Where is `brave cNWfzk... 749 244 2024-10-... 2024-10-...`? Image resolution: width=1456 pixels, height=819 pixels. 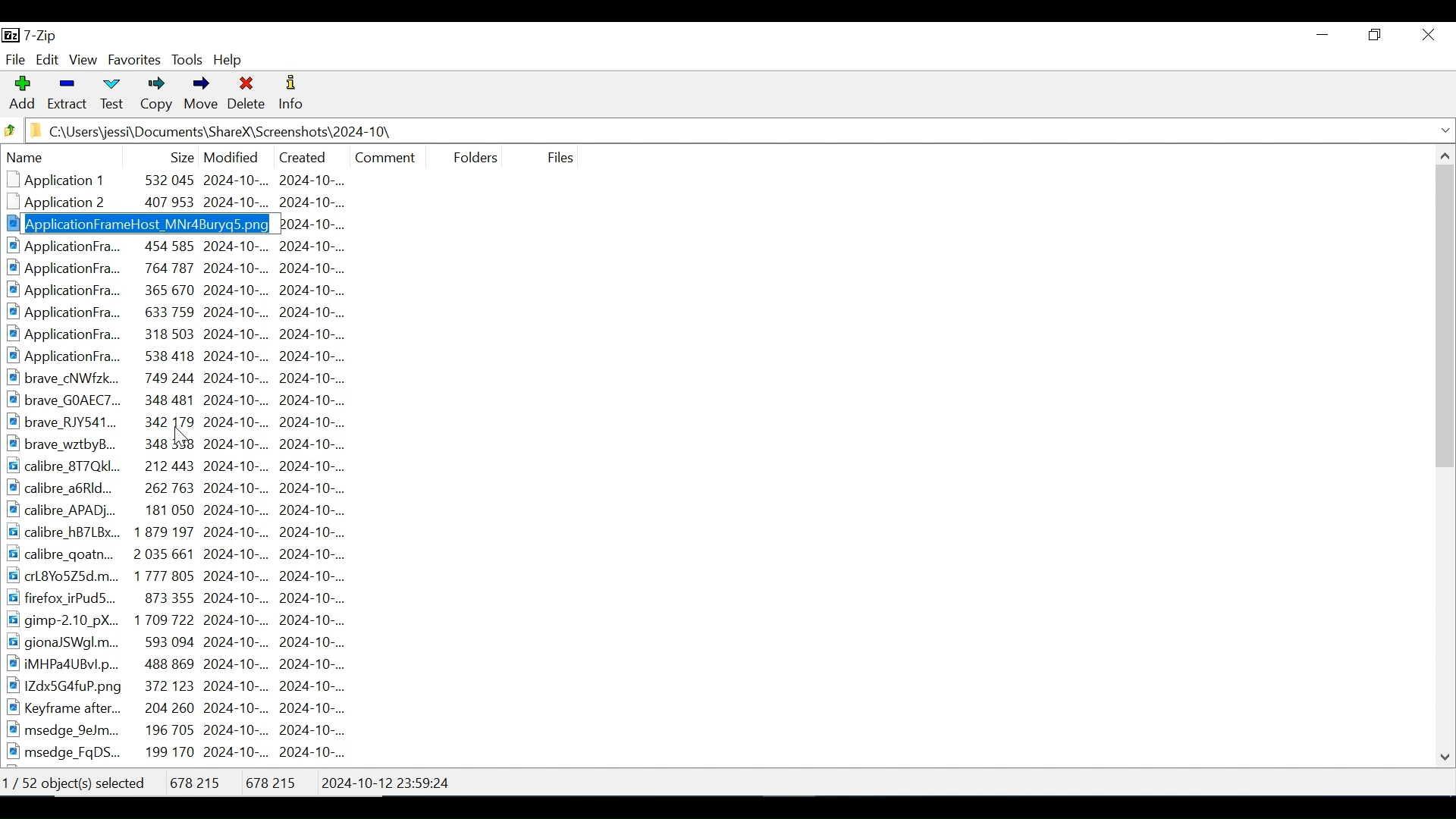 brave cNWfzk... 749 244 2024-10-... 2024-10-... is located at coordinates (187, 378).